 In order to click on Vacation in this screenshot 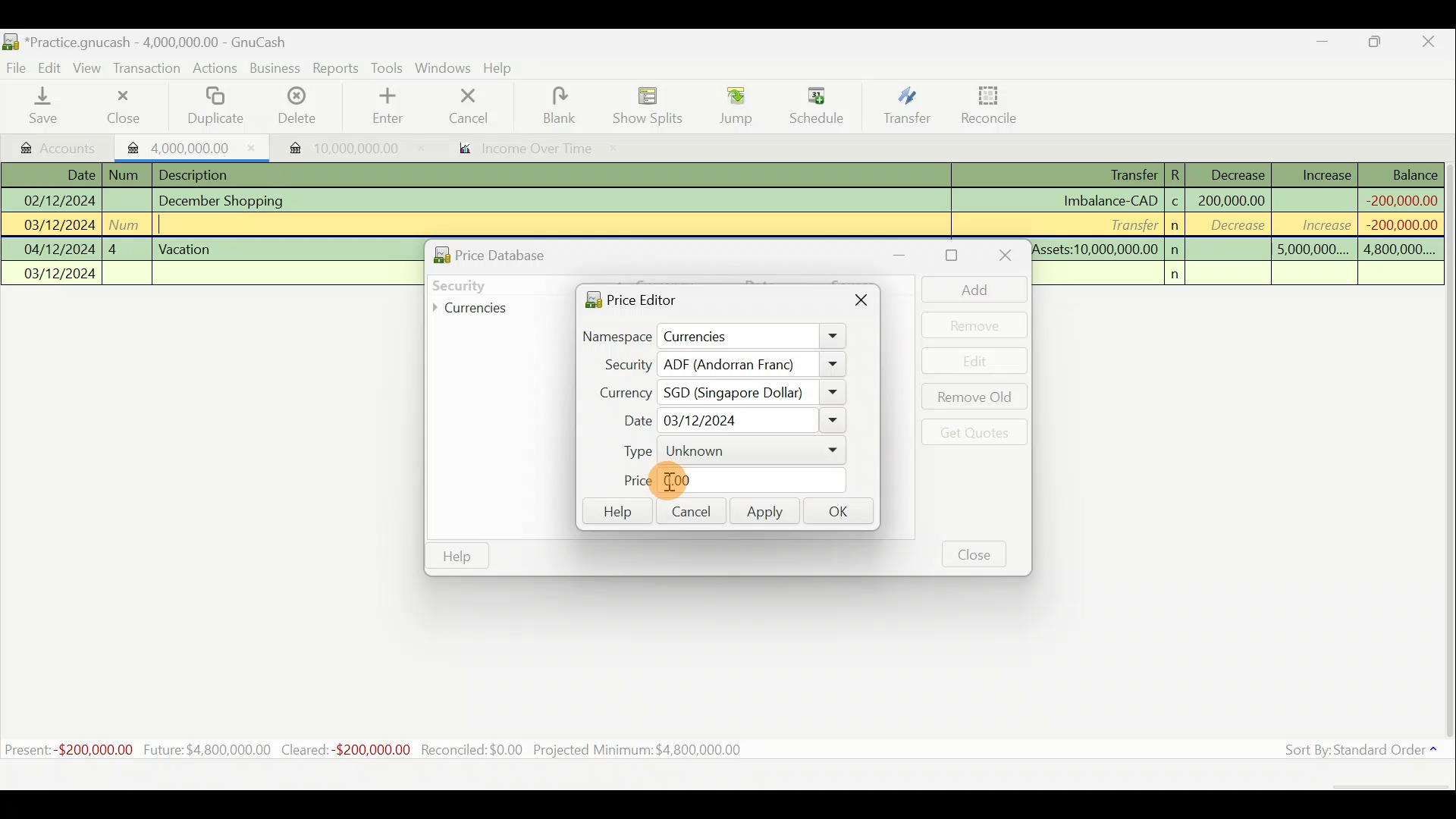, I will do `click(187, 247)`.